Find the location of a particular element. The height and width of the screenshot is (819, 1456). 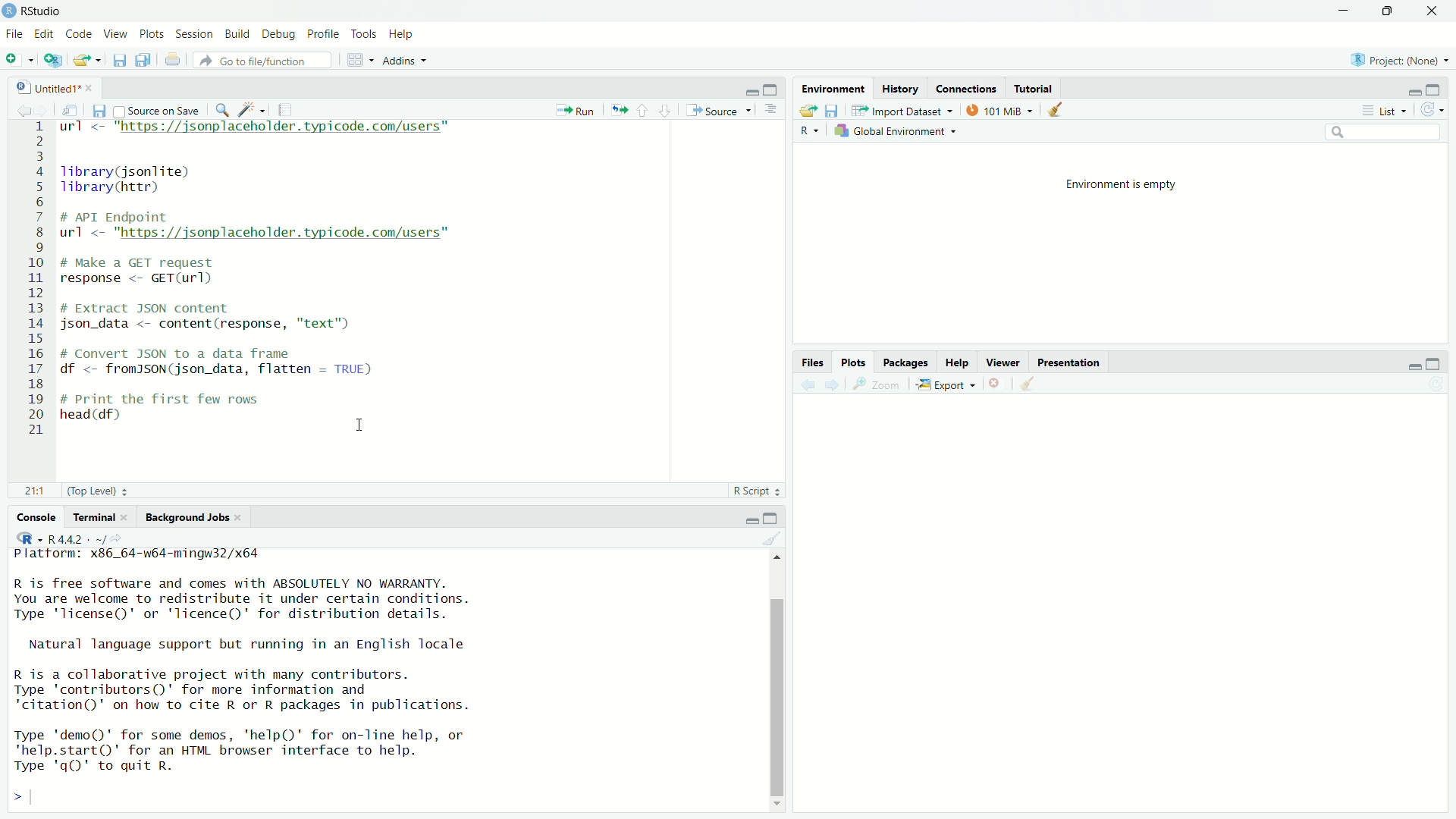

Open Existing File is located at coordinates (87, 60).